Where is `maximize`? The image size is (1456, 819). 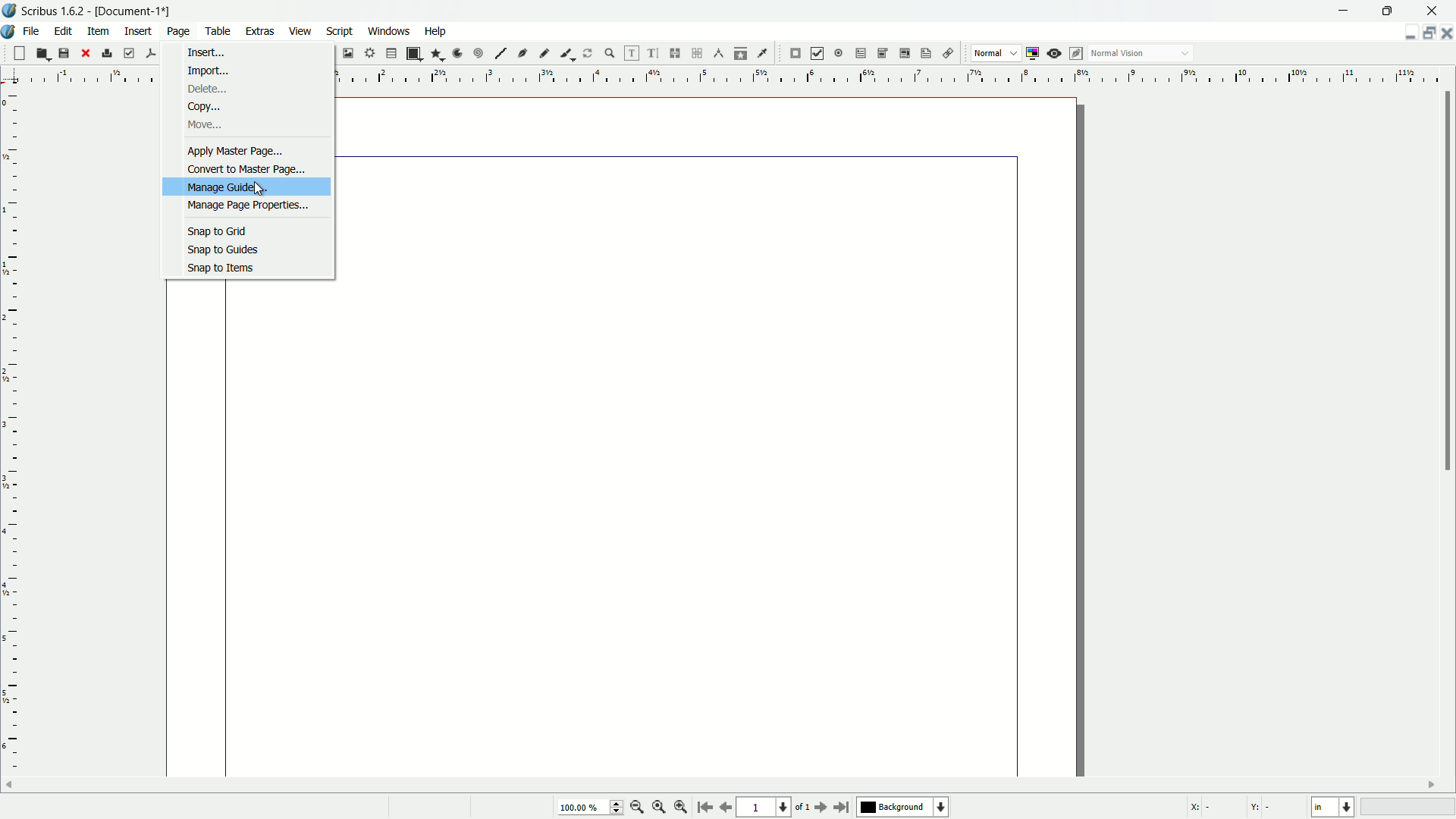
maximize is located at coordinates (1390, 10).